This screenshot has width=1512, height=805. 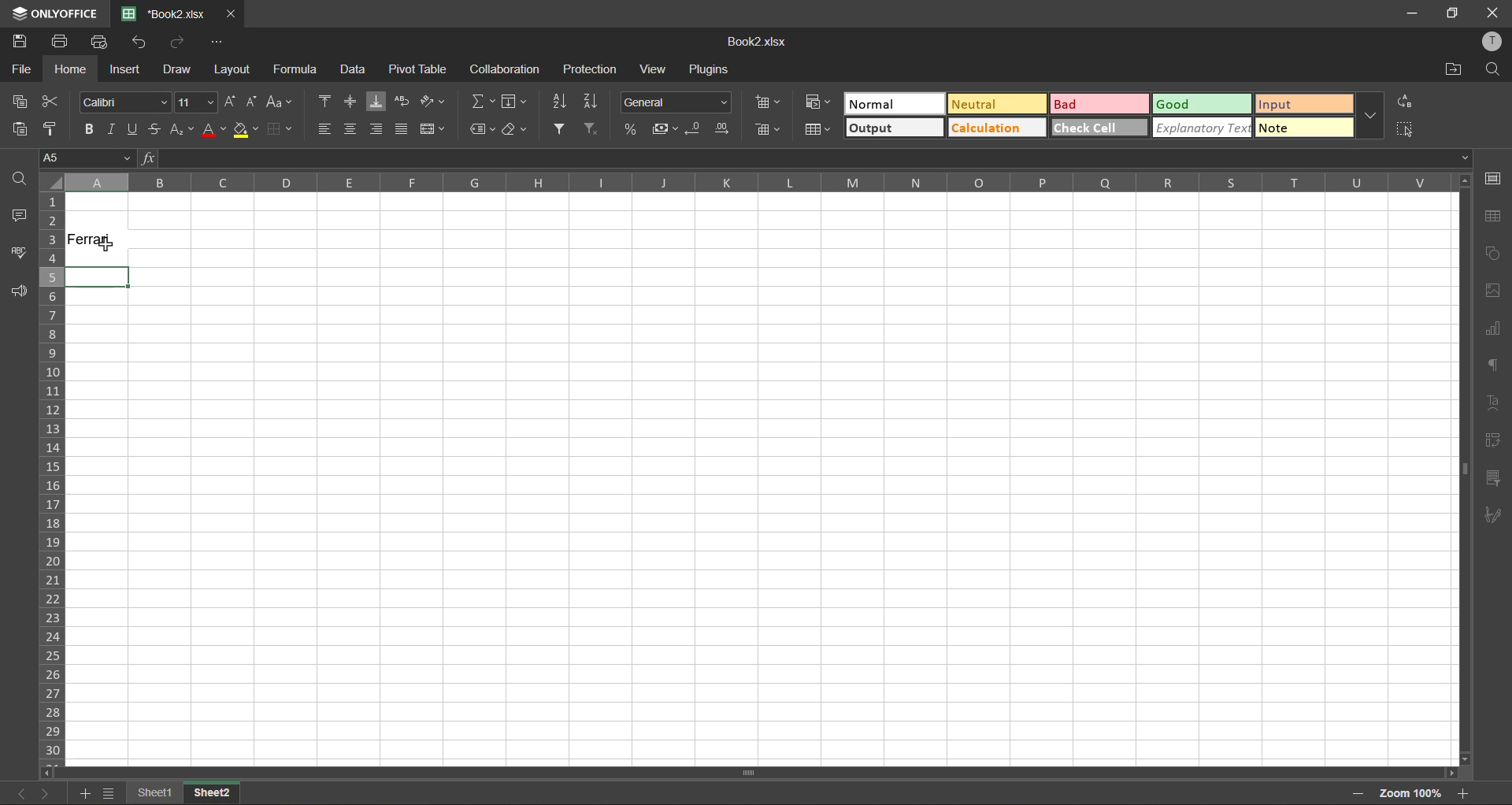 I want to click on fields, so click(x=519, y=101).